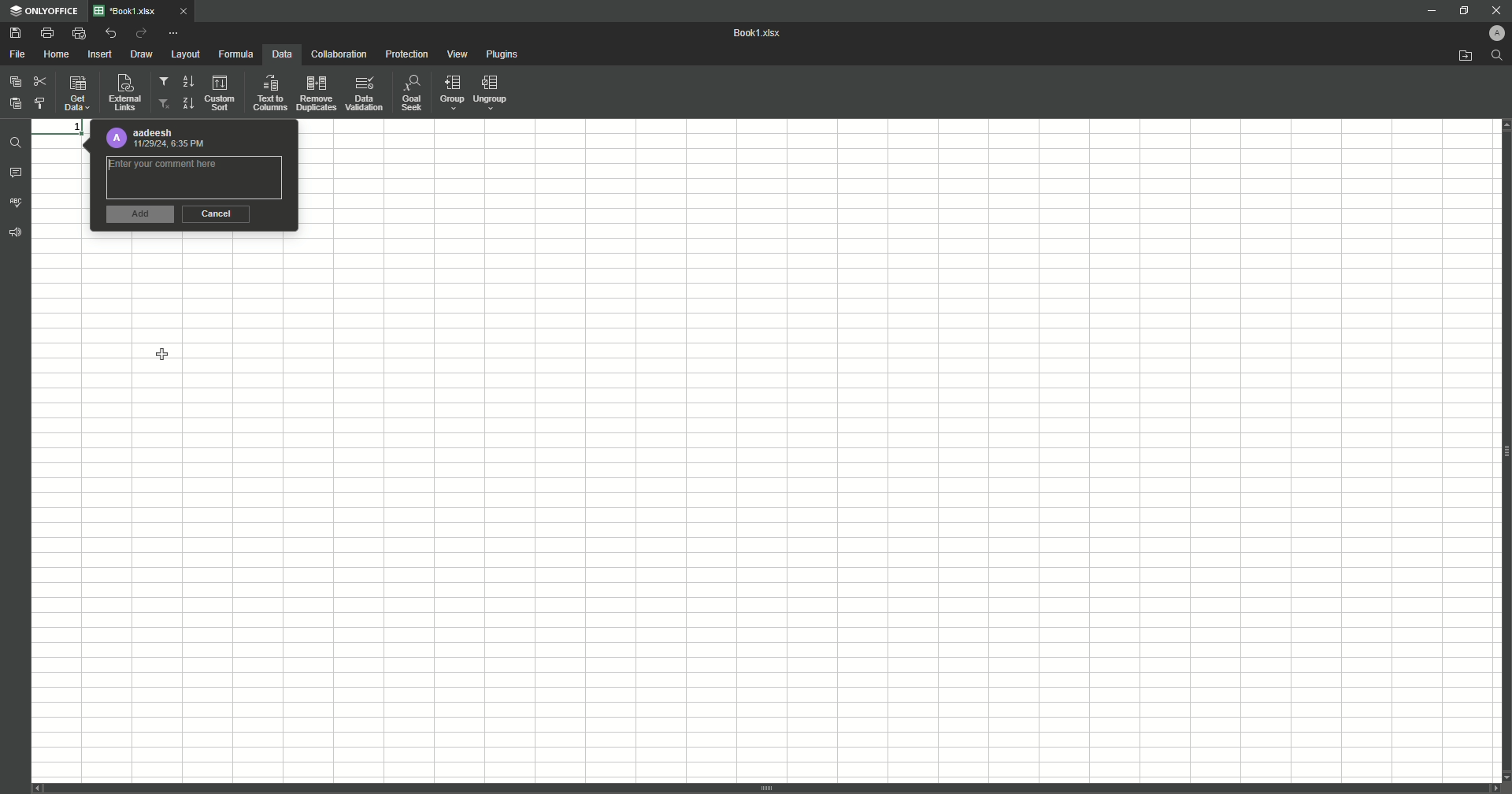  I want to click on Feedback, so click(17, 237).